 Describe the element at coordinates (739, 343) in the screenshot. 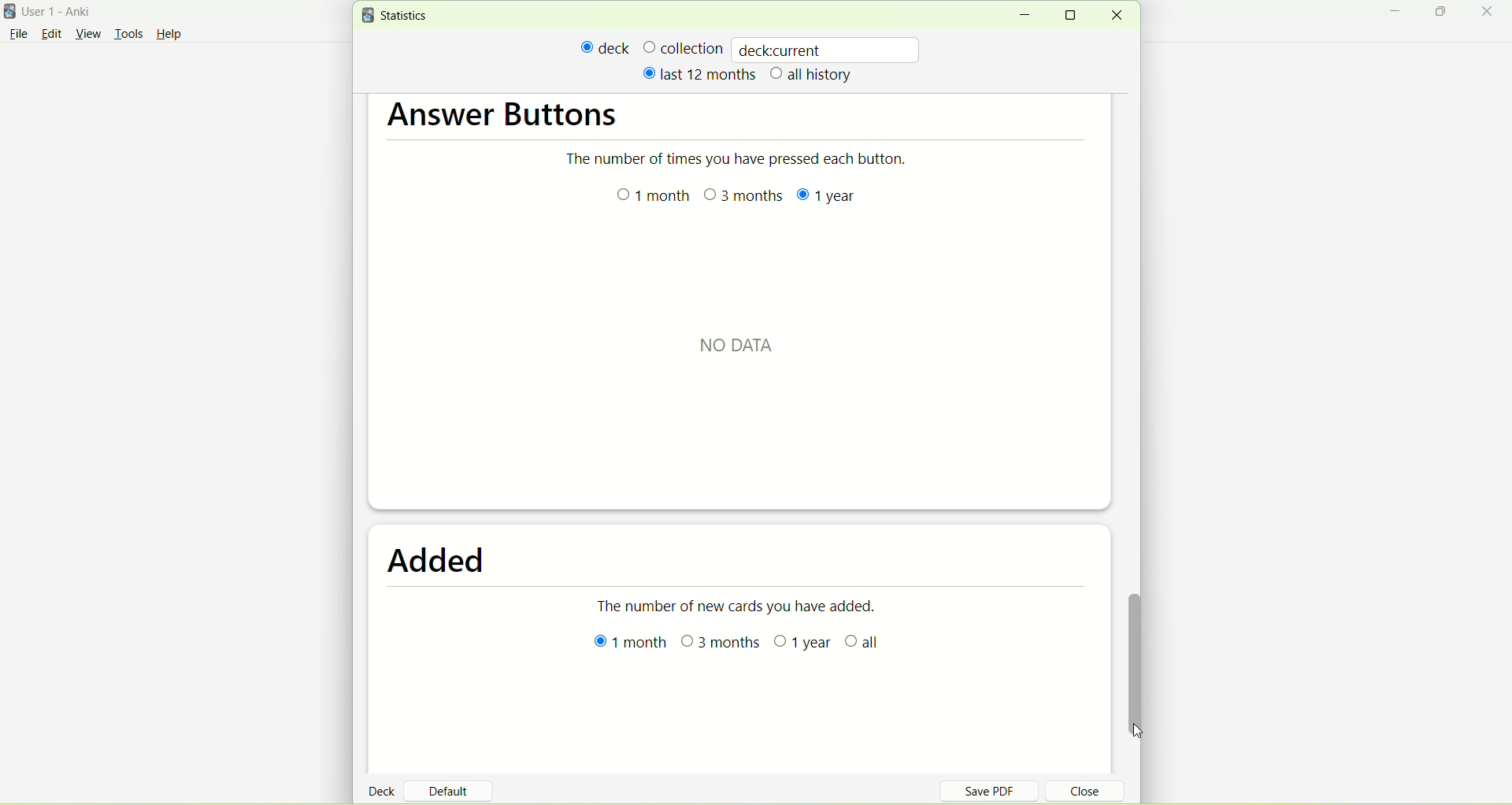

I see `NO DATA` at that location.